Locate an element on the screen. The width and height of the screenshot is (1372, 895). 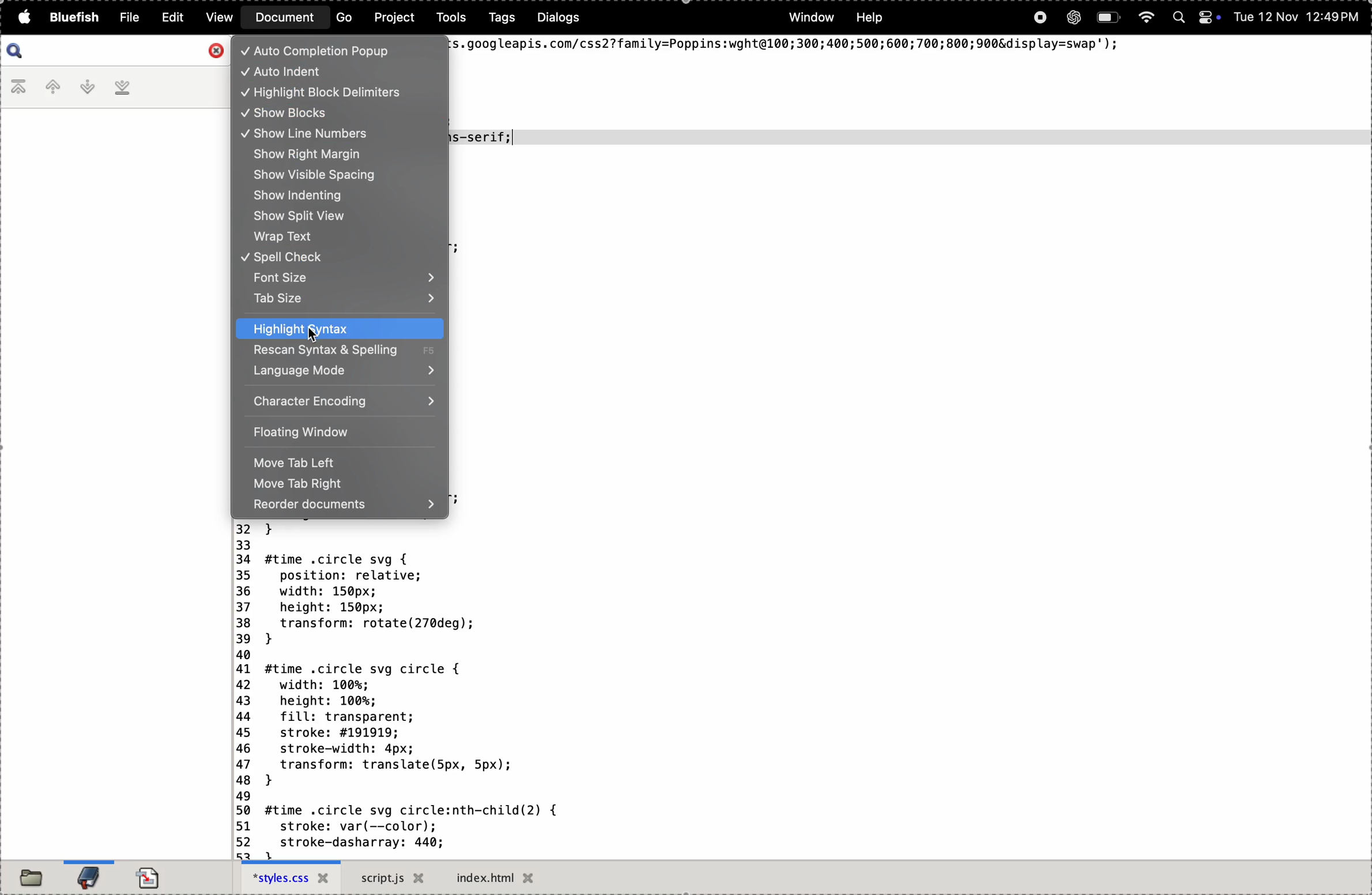
battery is located at coordinates (1109, 18).